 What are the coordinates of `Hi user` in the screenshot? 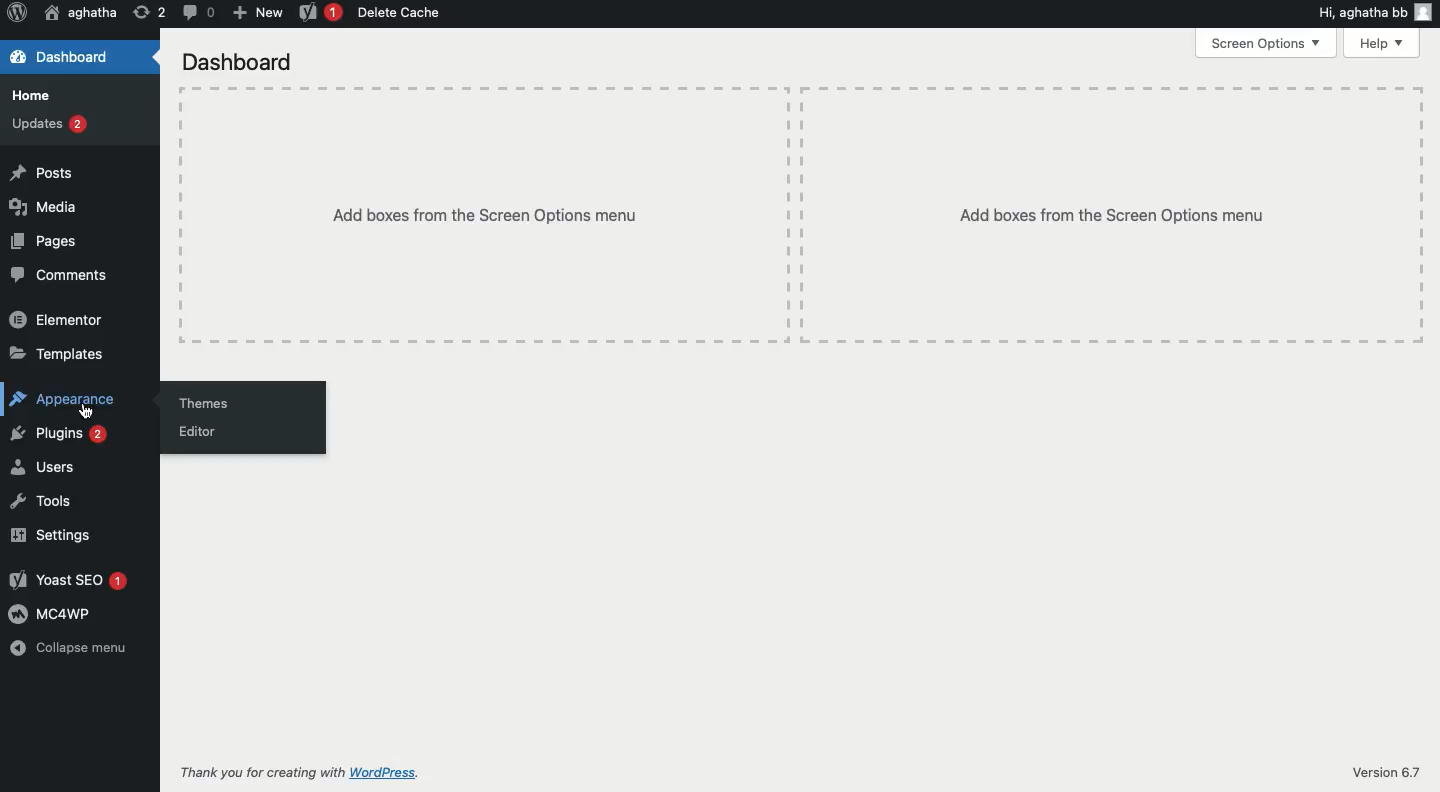 It's located at (1377, 11).